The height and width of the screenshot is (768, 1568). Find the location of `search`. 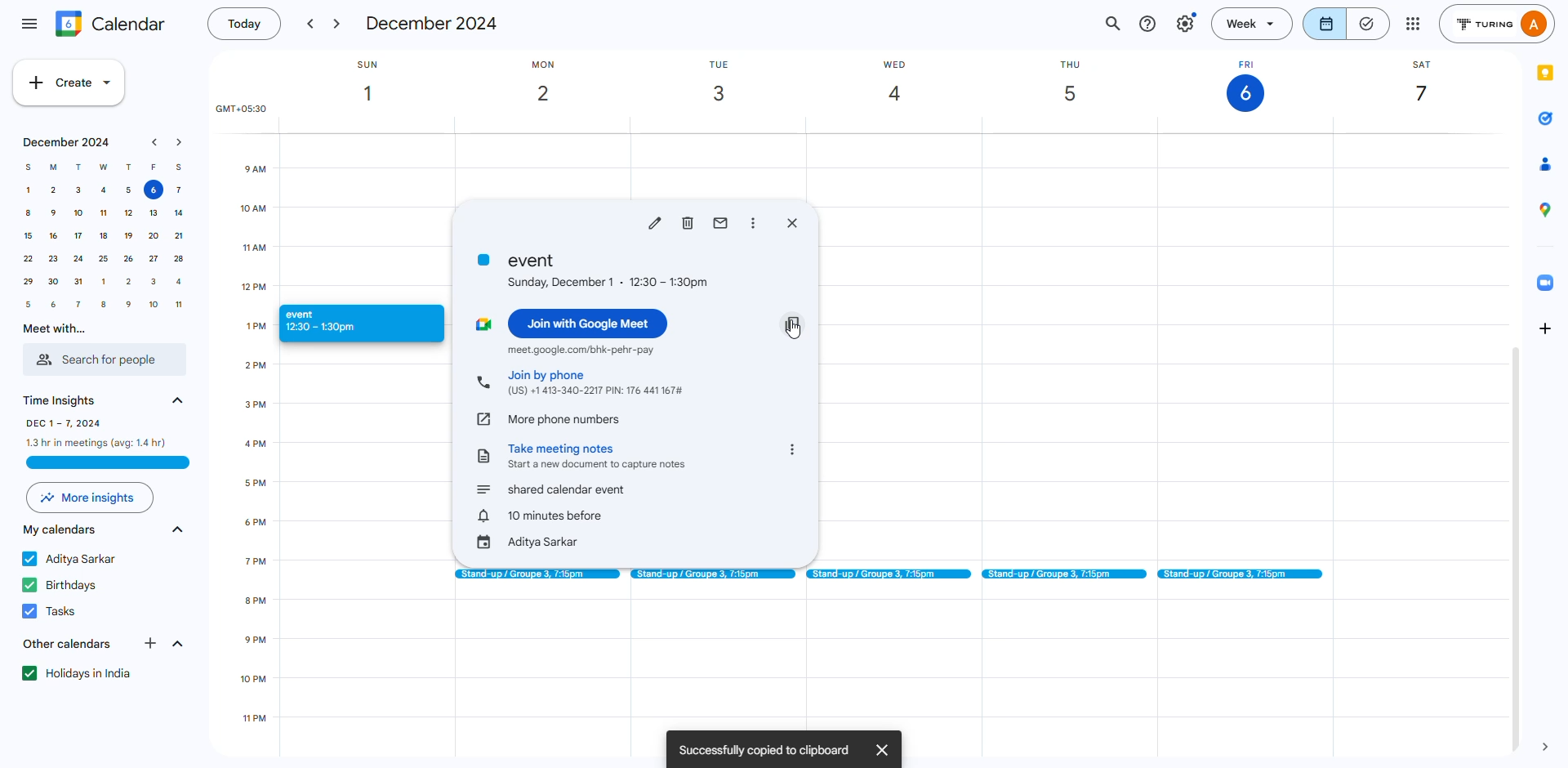

search is located at coordinates (1115, 23).